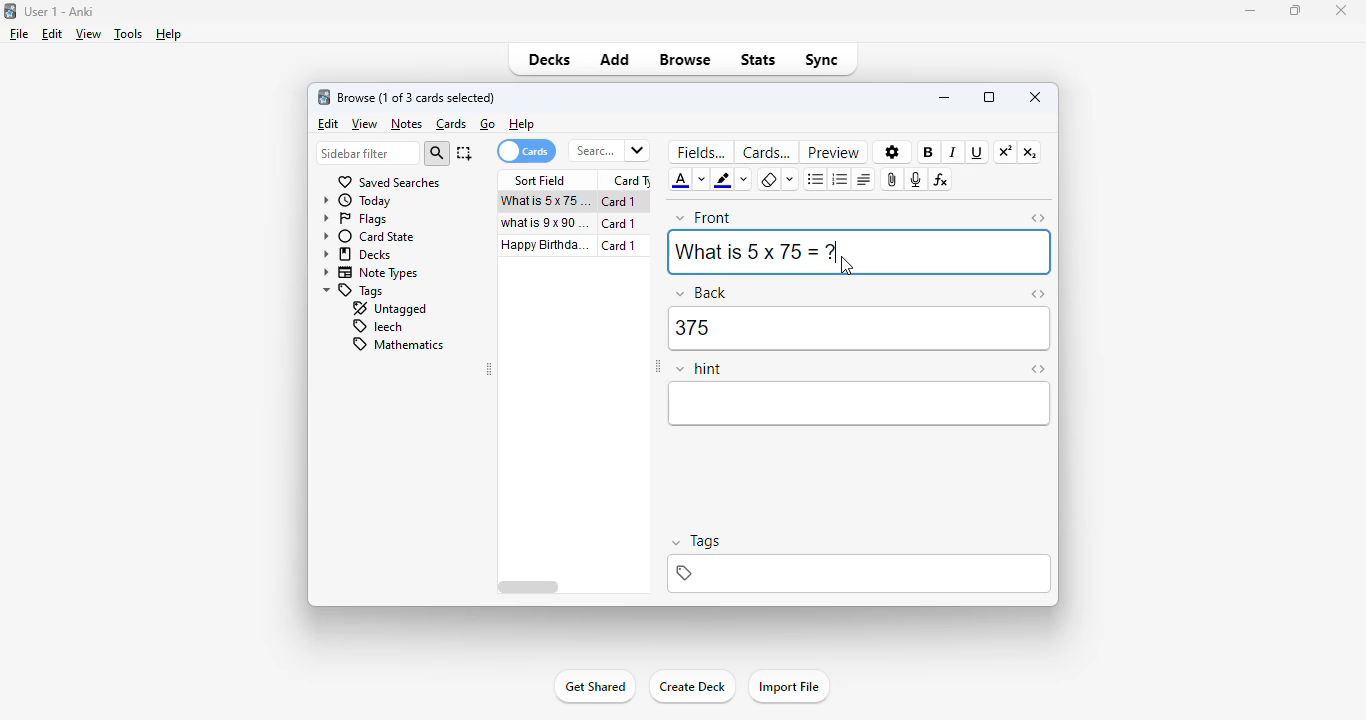 Image resolution: width=1366 pixels, height=720 pixels. I want to click on stats, so click(758, 61).